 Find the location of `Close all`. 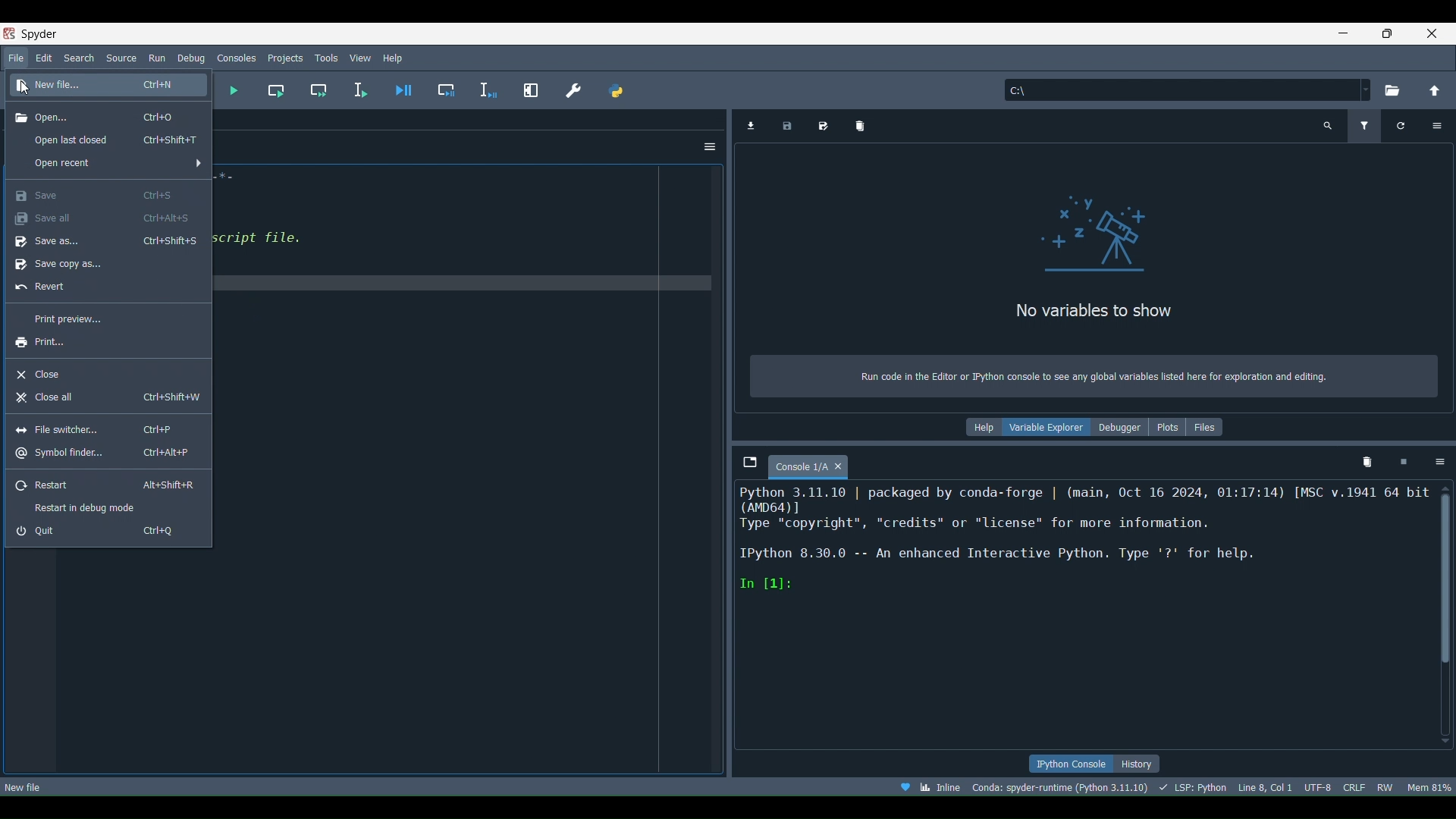

Close all is located at coordinates (107, 398).